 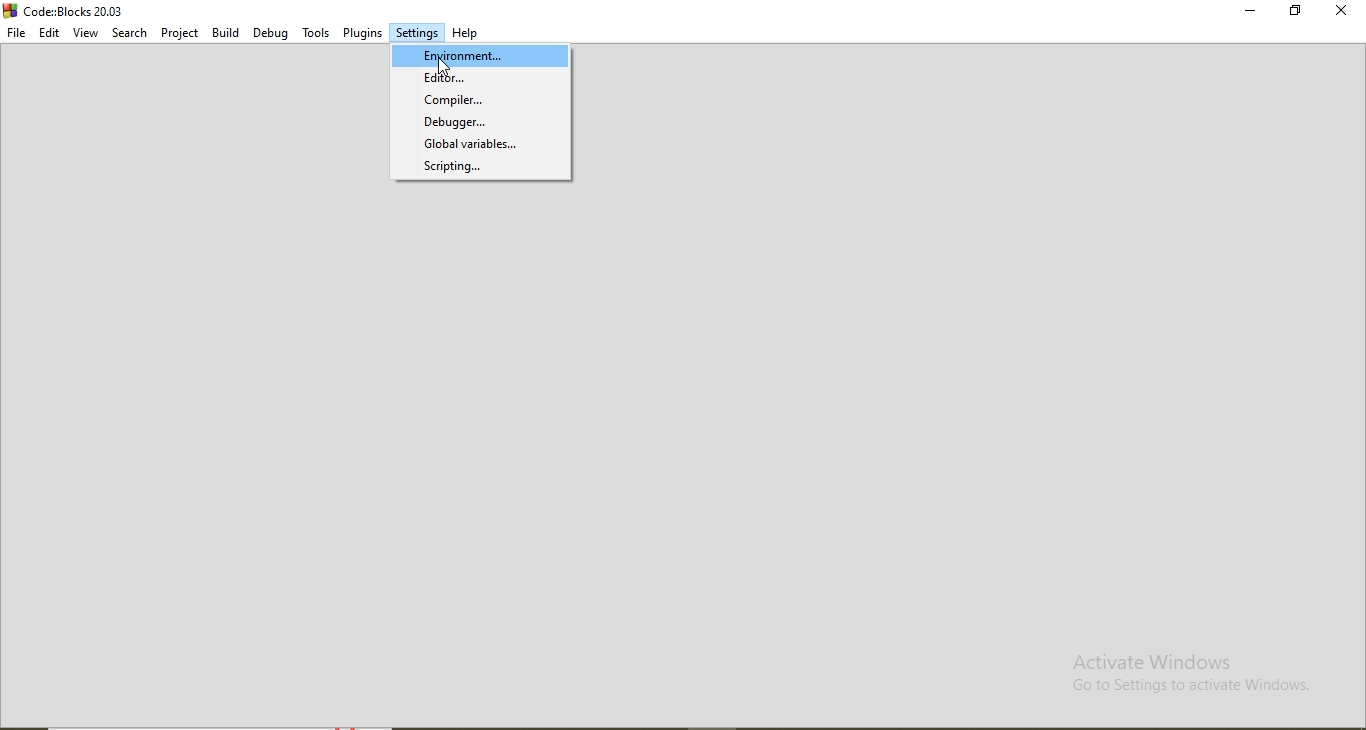 What do you see at coordinates (479, 165) in the screenshot?
I see `Scripting` at bounding box center [479, 165].